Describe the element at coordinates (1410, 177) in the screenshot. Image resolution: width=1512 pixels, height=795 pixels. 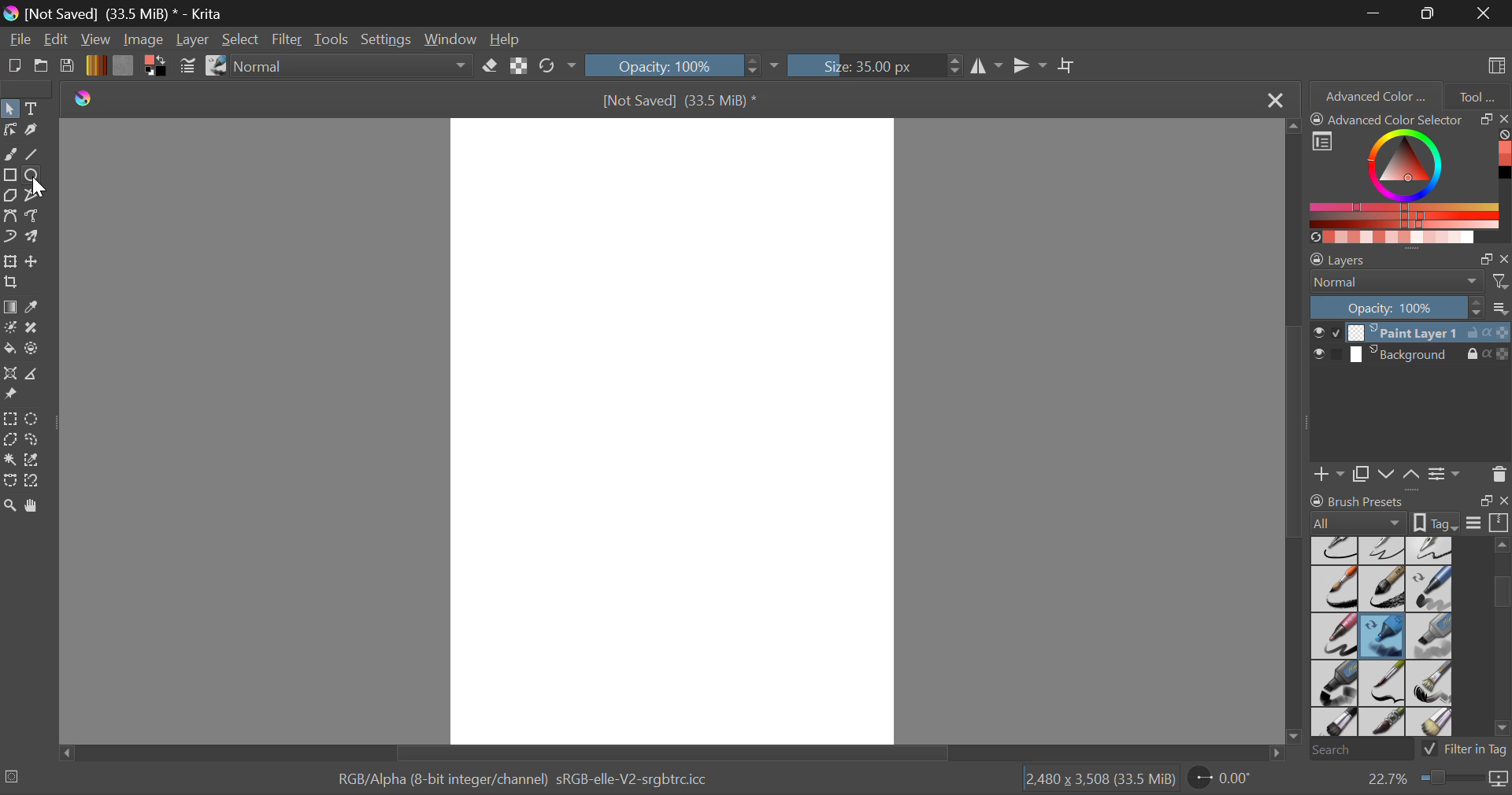
I see `Advanced Color Selector` at that location.